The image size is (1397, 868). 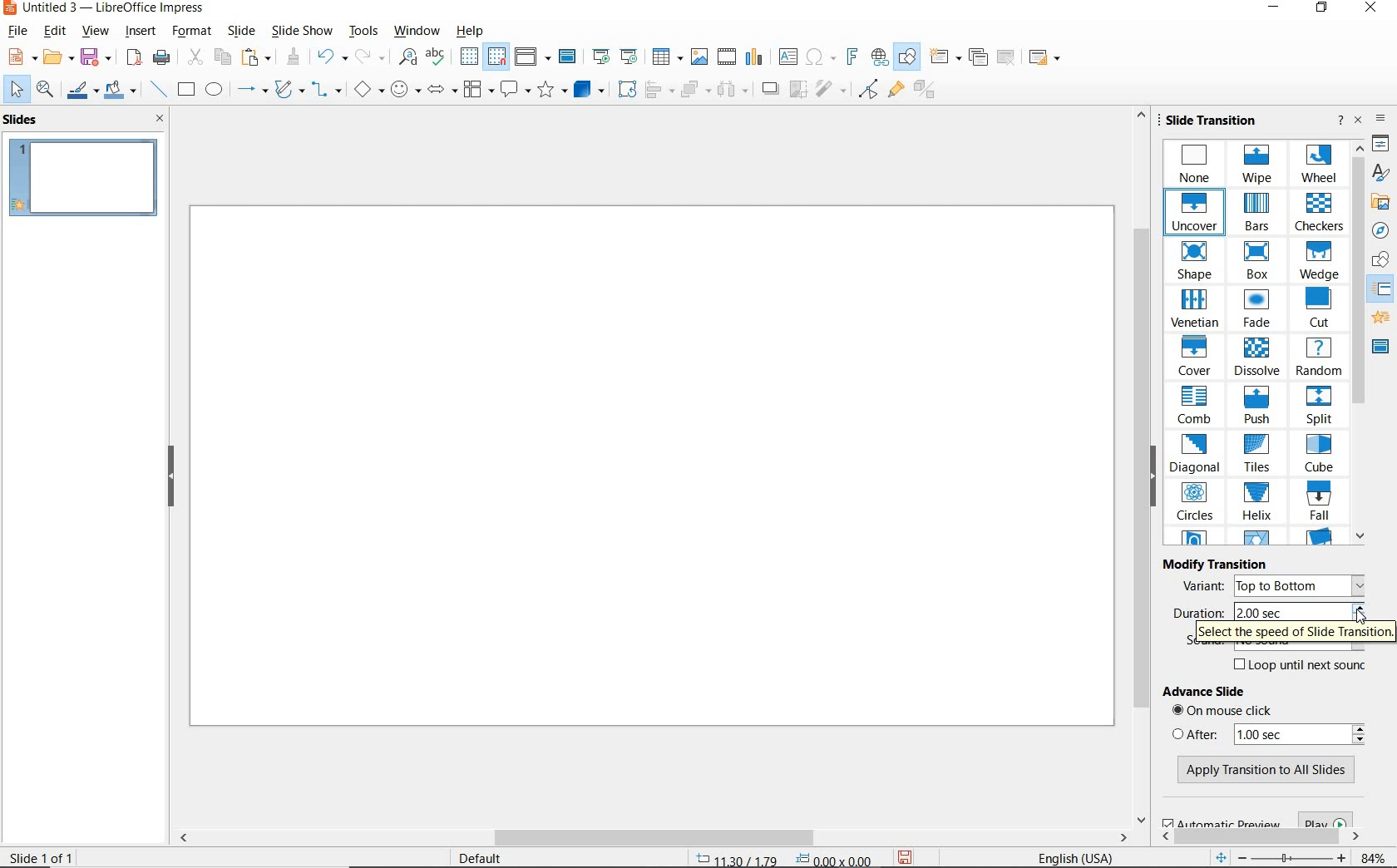 What do you see at coordinates (1158, 477) in the screenshot?
I see `HIDE` at bounding box center [1158, 477].